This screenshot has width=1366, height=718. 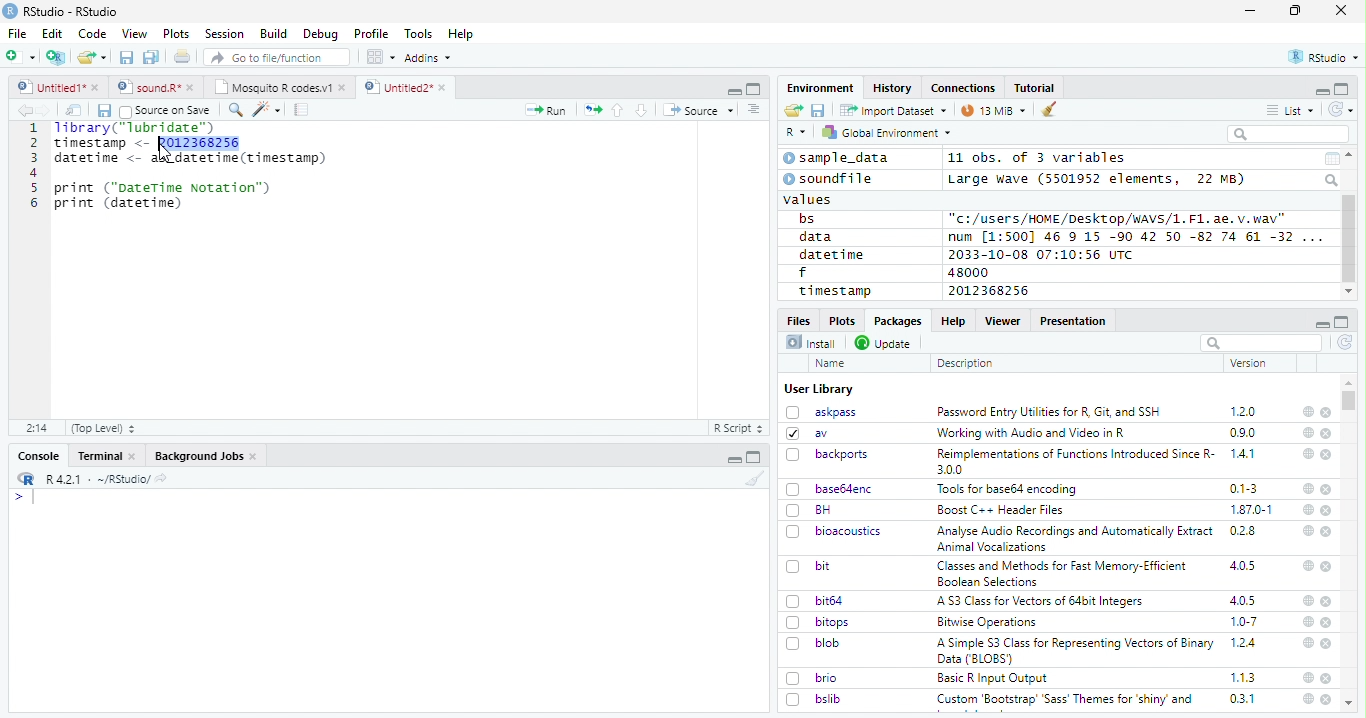 I want to click on Refresh, so click(x=1346, y=344).